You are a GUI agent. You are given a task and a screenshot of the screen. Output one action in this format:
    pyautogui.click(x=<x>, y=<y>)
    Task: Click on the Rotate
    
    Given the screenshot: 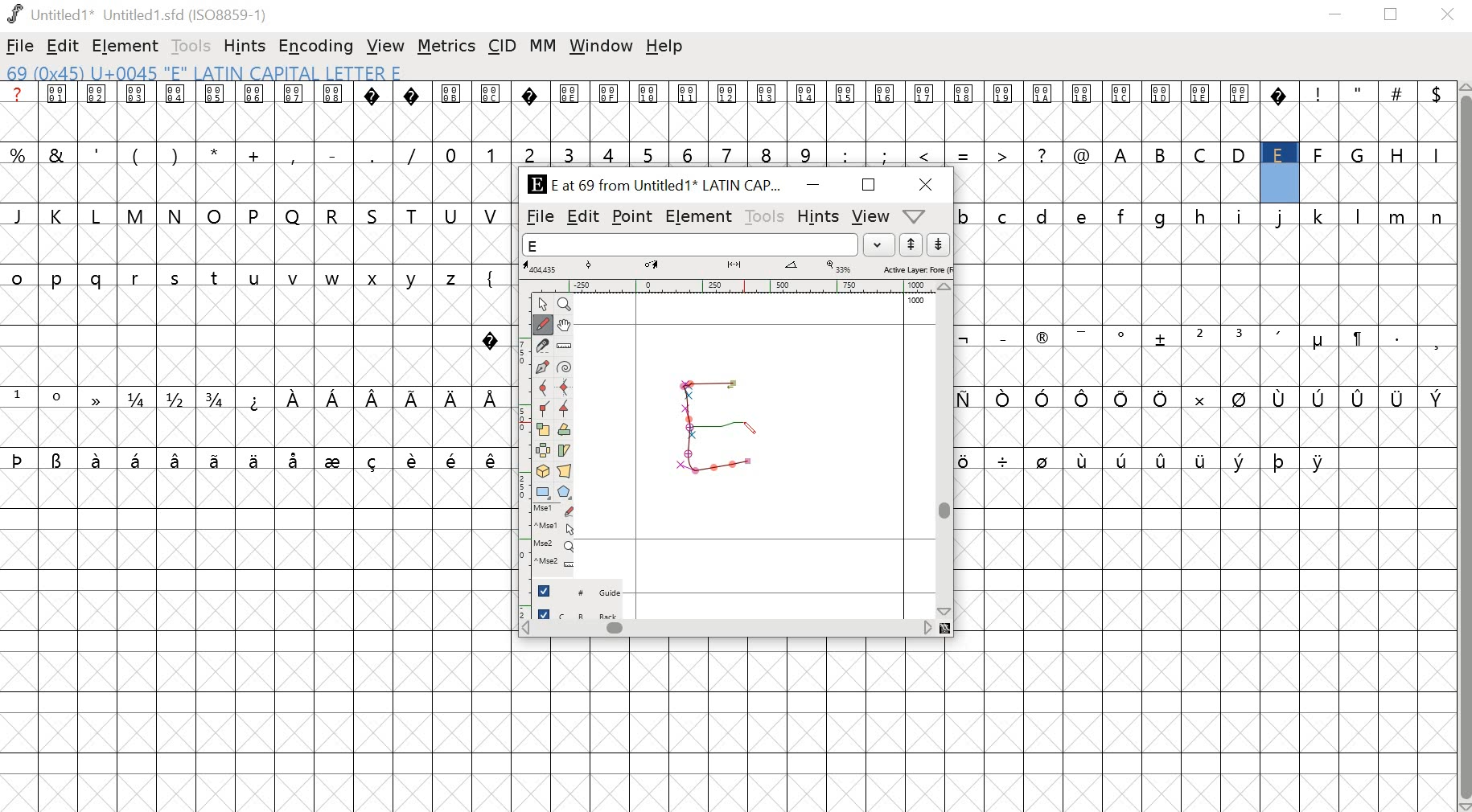 What is the action you would take?
    pyautogui.click(x=565, y=430)
    